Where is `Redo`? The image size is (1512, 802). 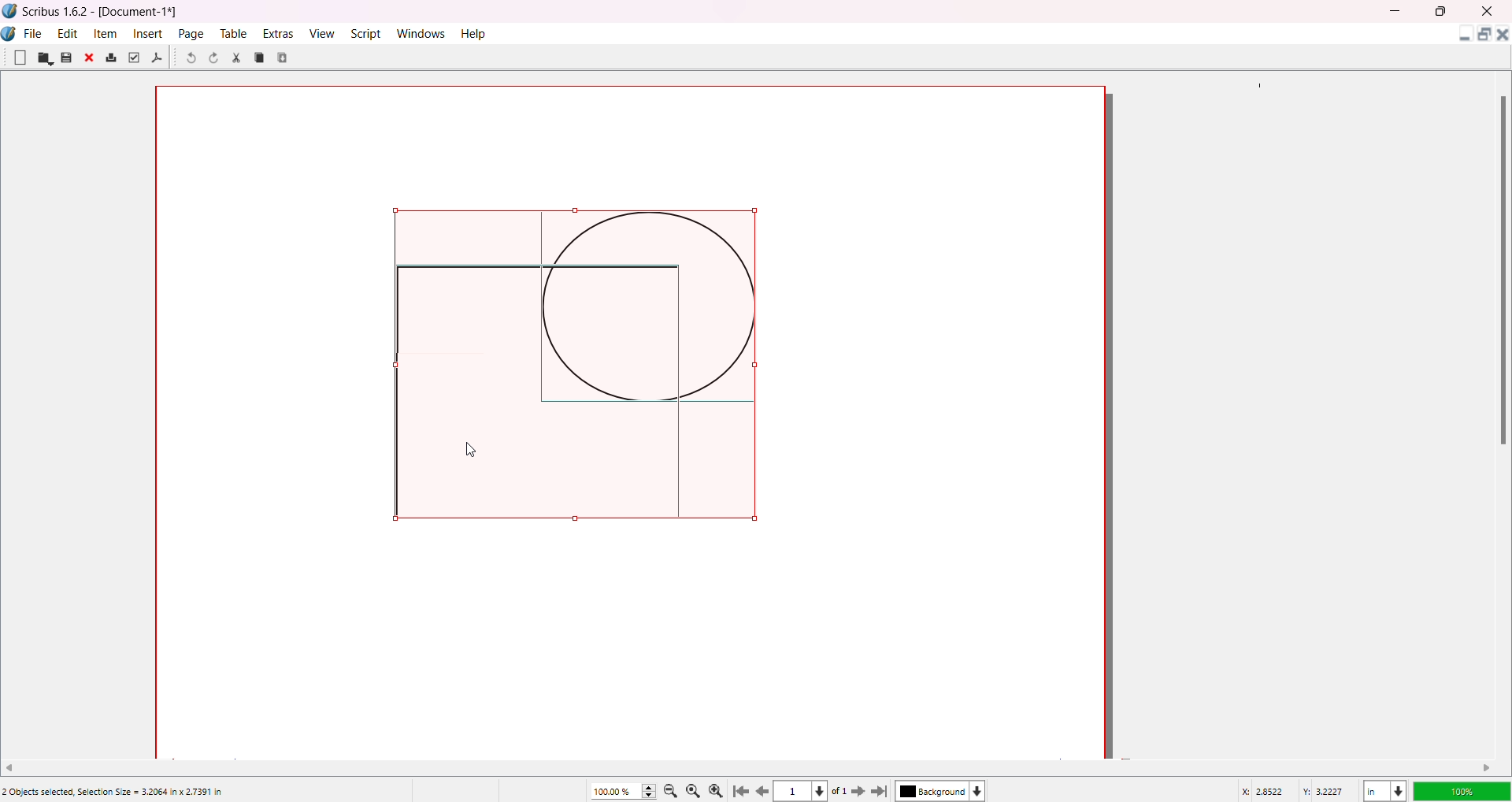
Redo is located at coordinates (217, 60).